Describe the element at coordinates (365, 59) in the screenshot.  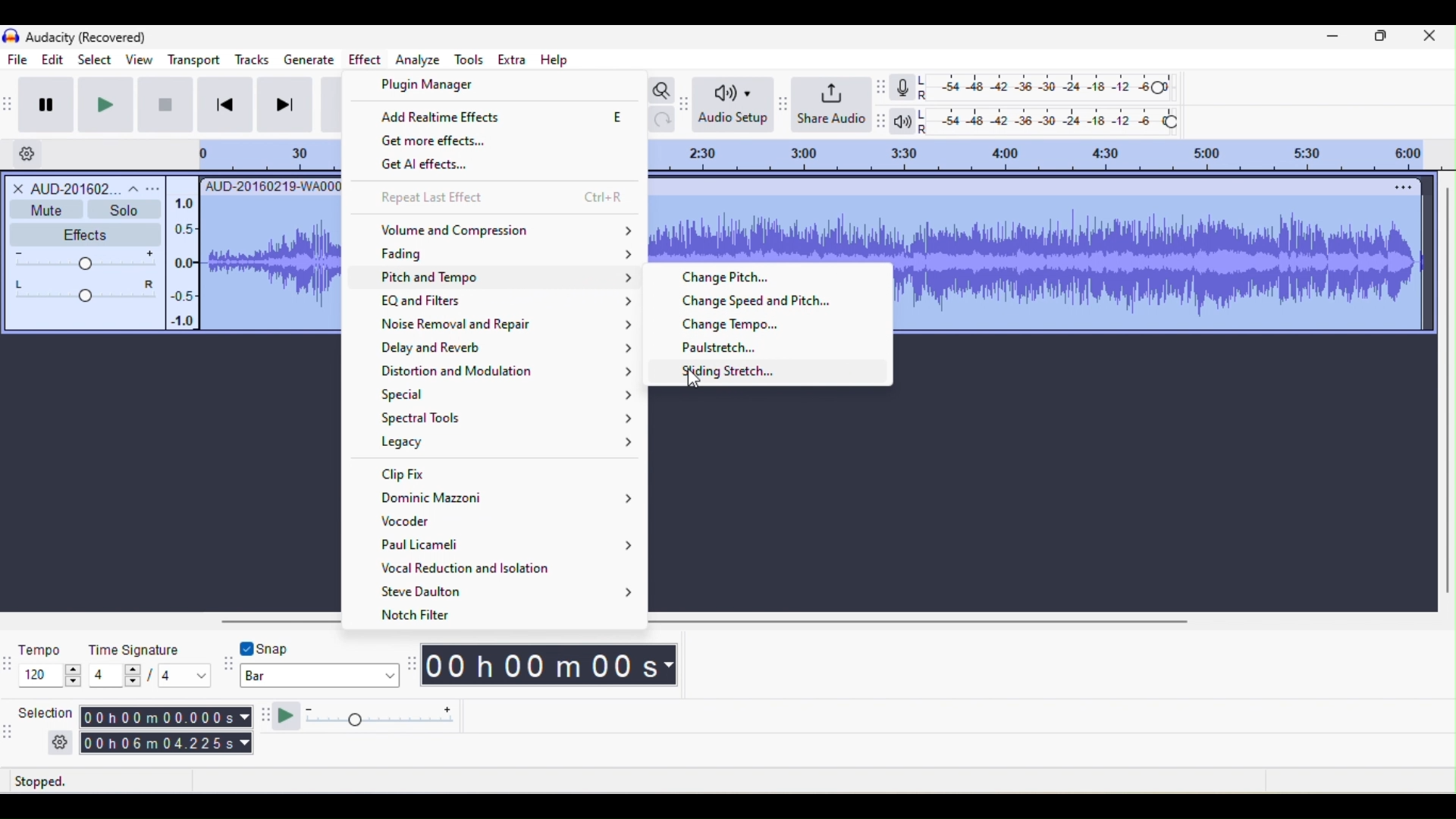
I see `effect` at that location.